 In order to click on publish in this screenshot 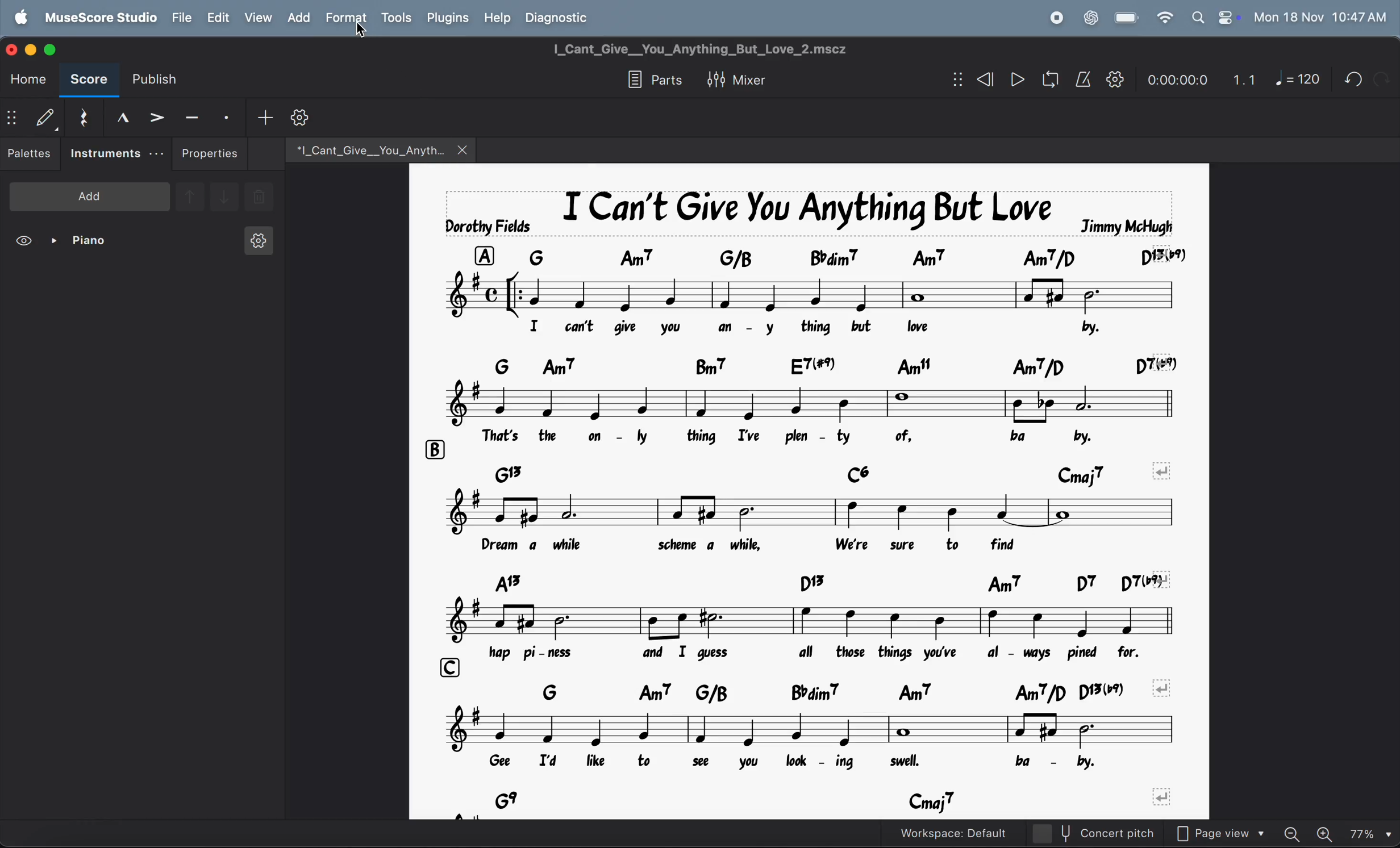, I will do `click(160, 80)`.